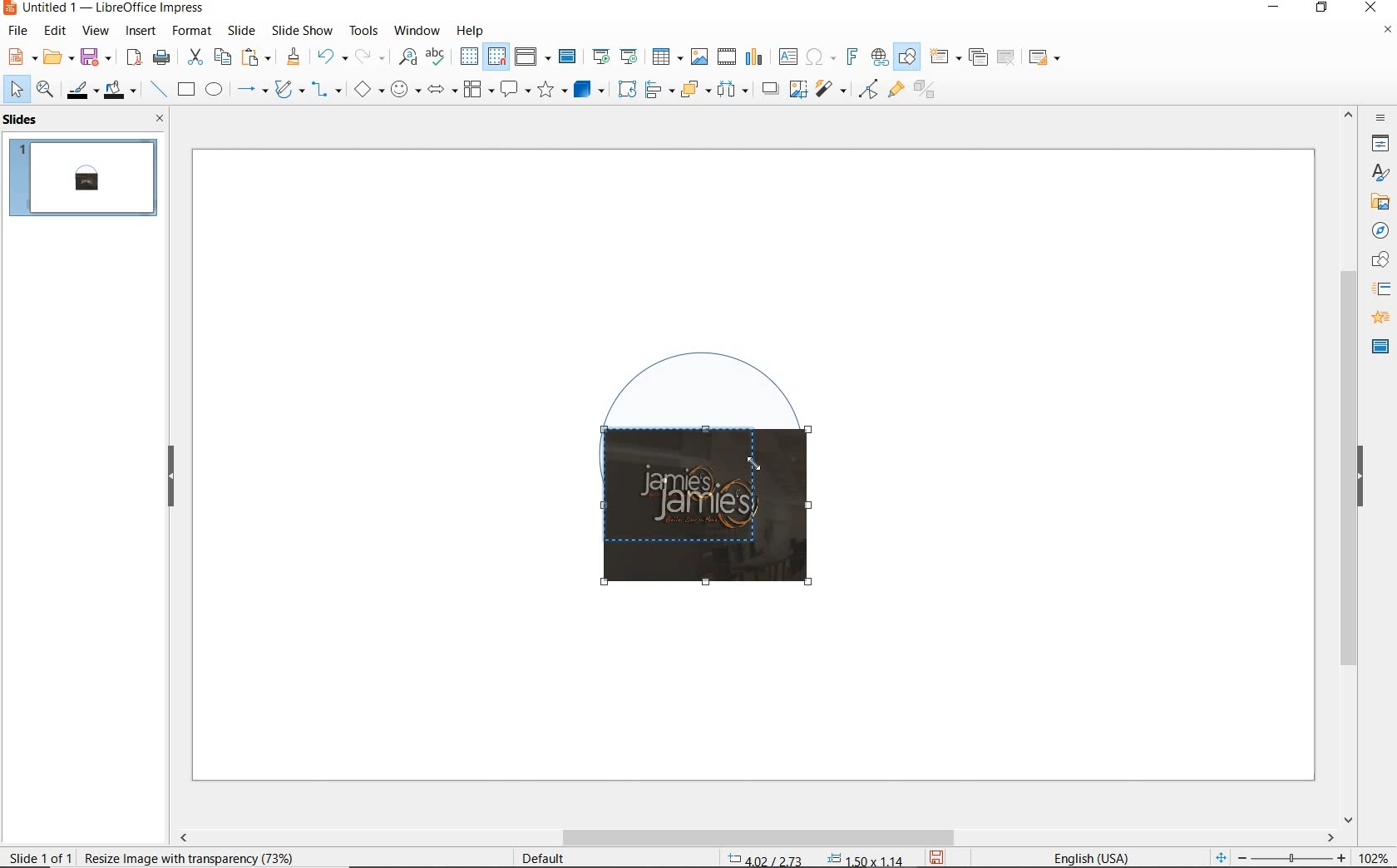 This screenshot has width=1397, height=868. I want to click on filter, so click(832, 86).